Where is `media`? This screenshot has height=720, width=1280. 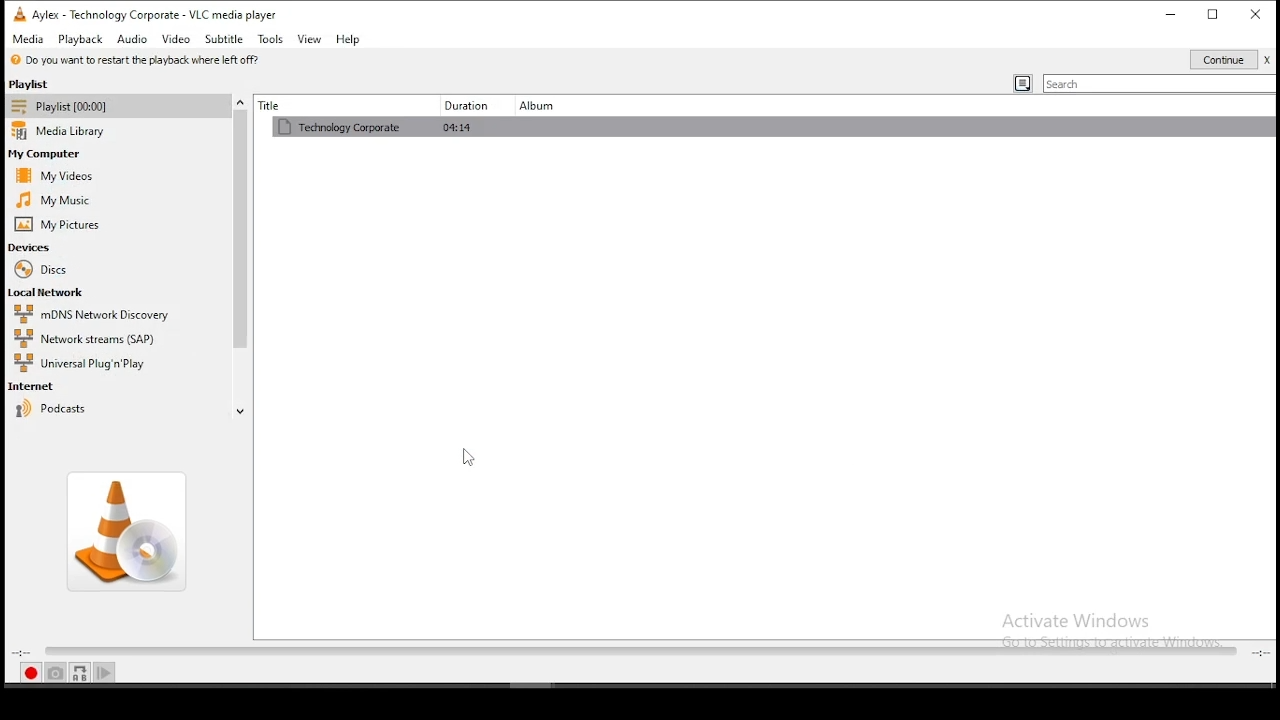 media is located at coordinates (26, 39).